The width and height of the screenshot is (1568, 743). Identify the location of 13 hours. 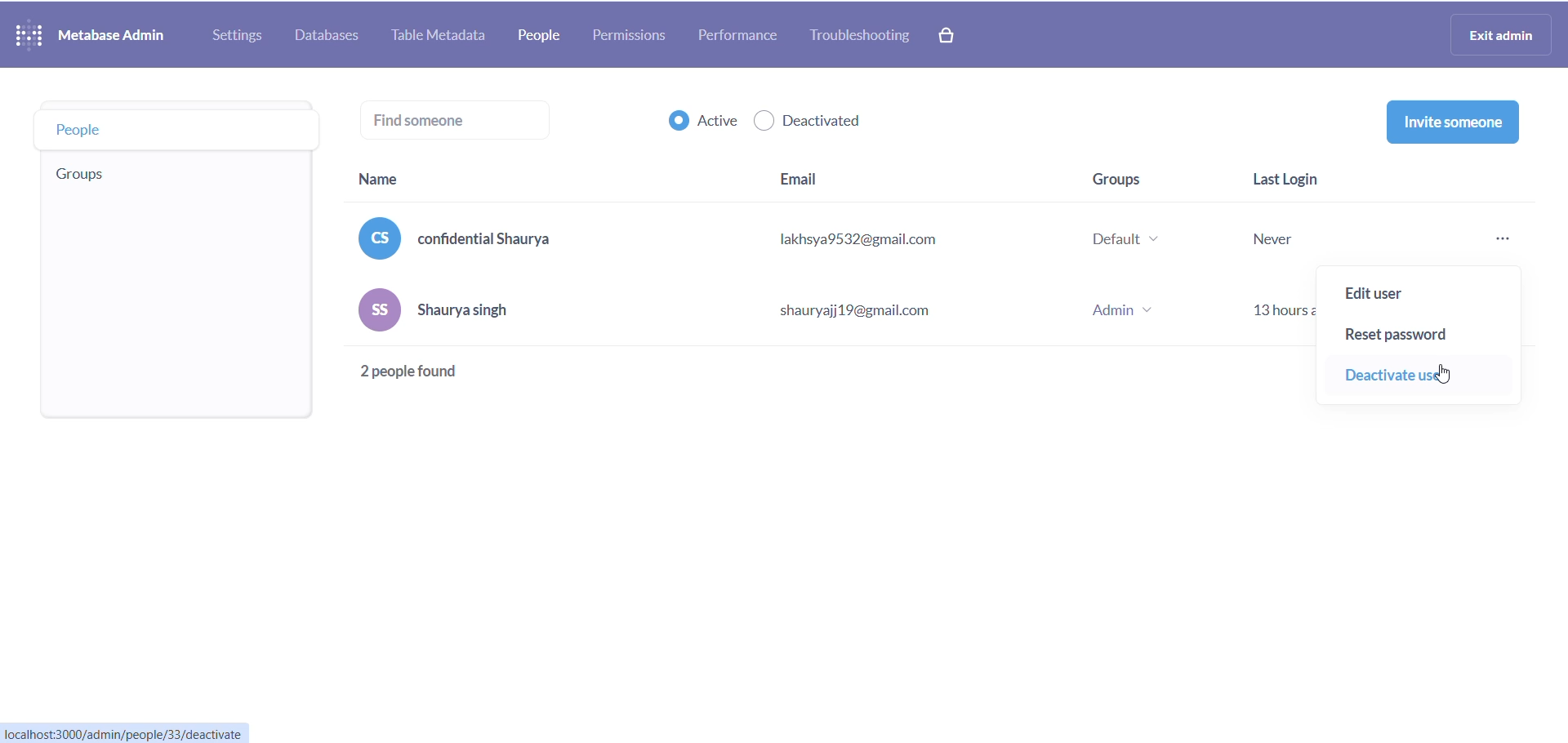
(1279, 309).